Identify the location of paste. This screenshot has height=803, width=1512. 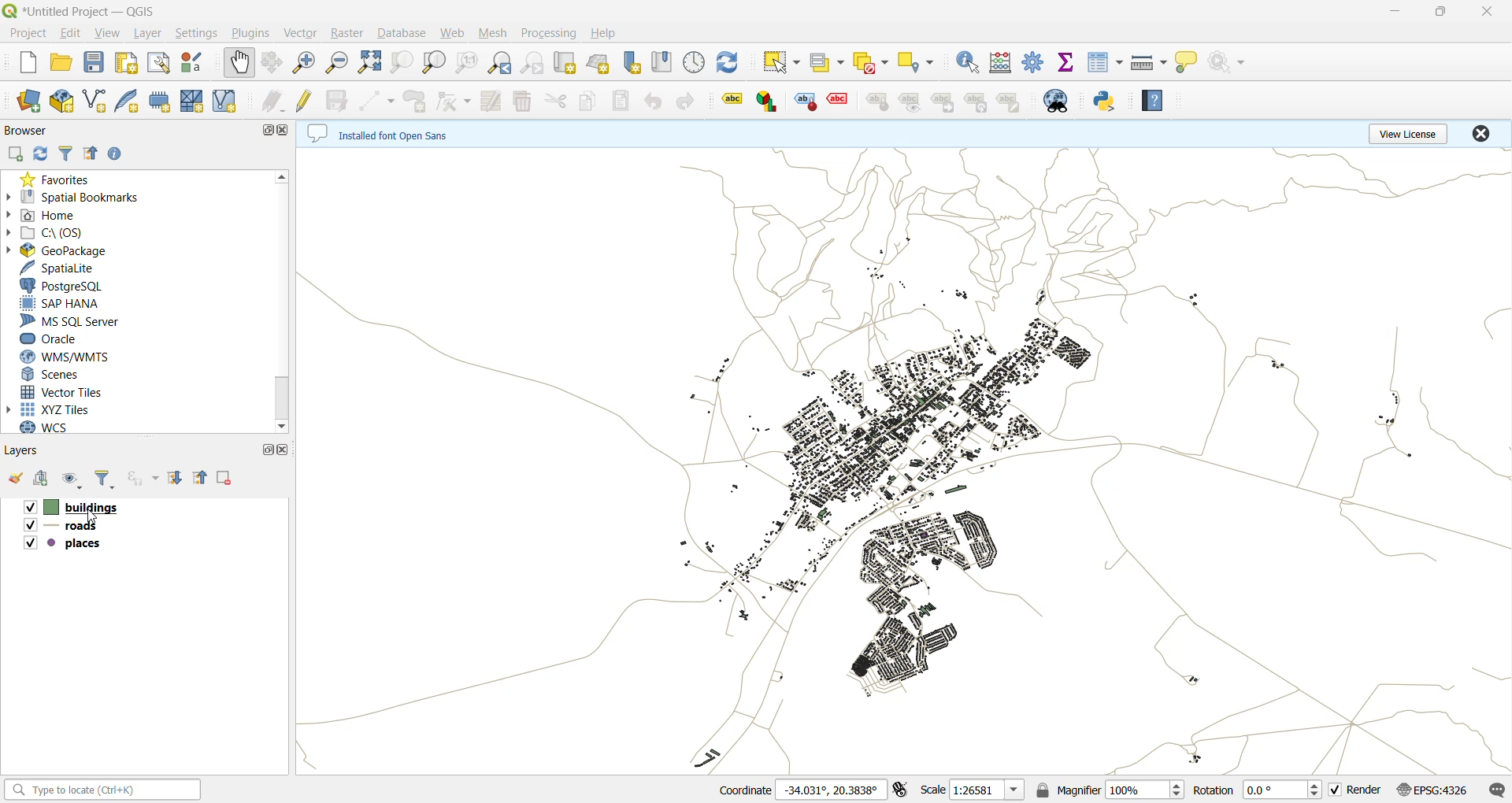
(623, 102).